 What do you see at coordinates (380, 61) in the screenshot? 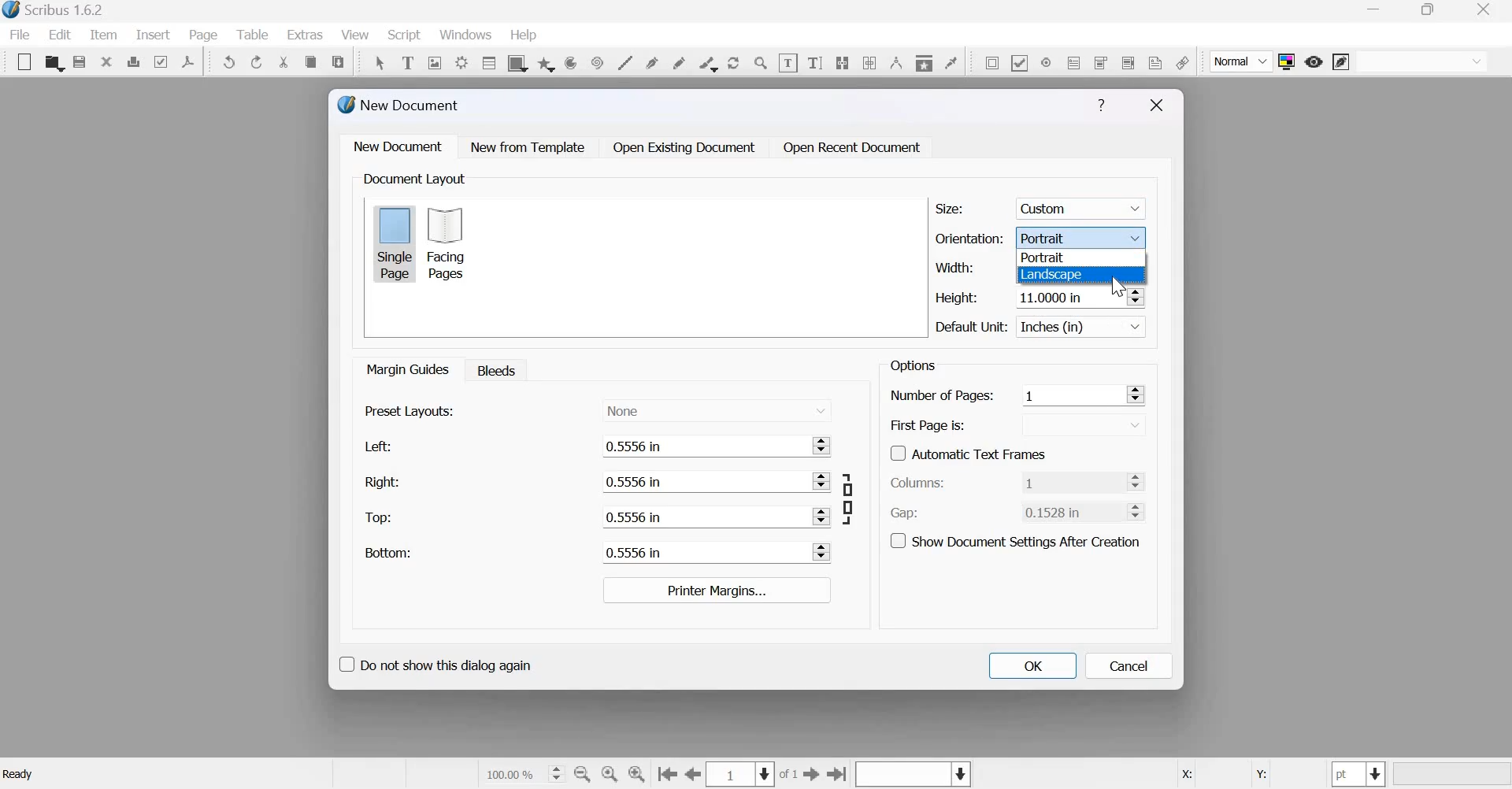
I see `Select item` at bounding box center [380, 61].